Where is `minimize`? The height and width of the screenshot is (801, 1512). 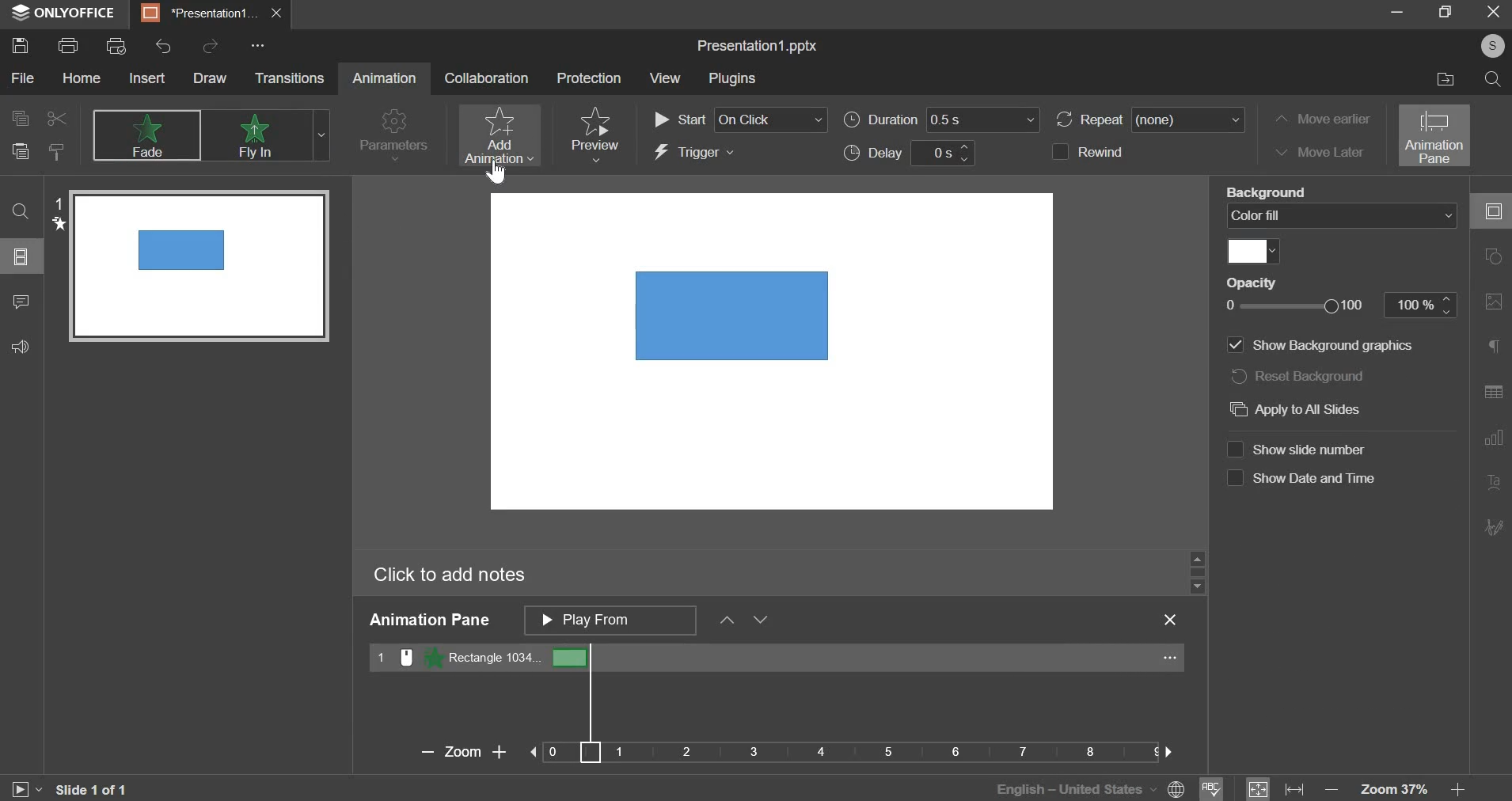 minimize is located at coordinates (1393, 13).